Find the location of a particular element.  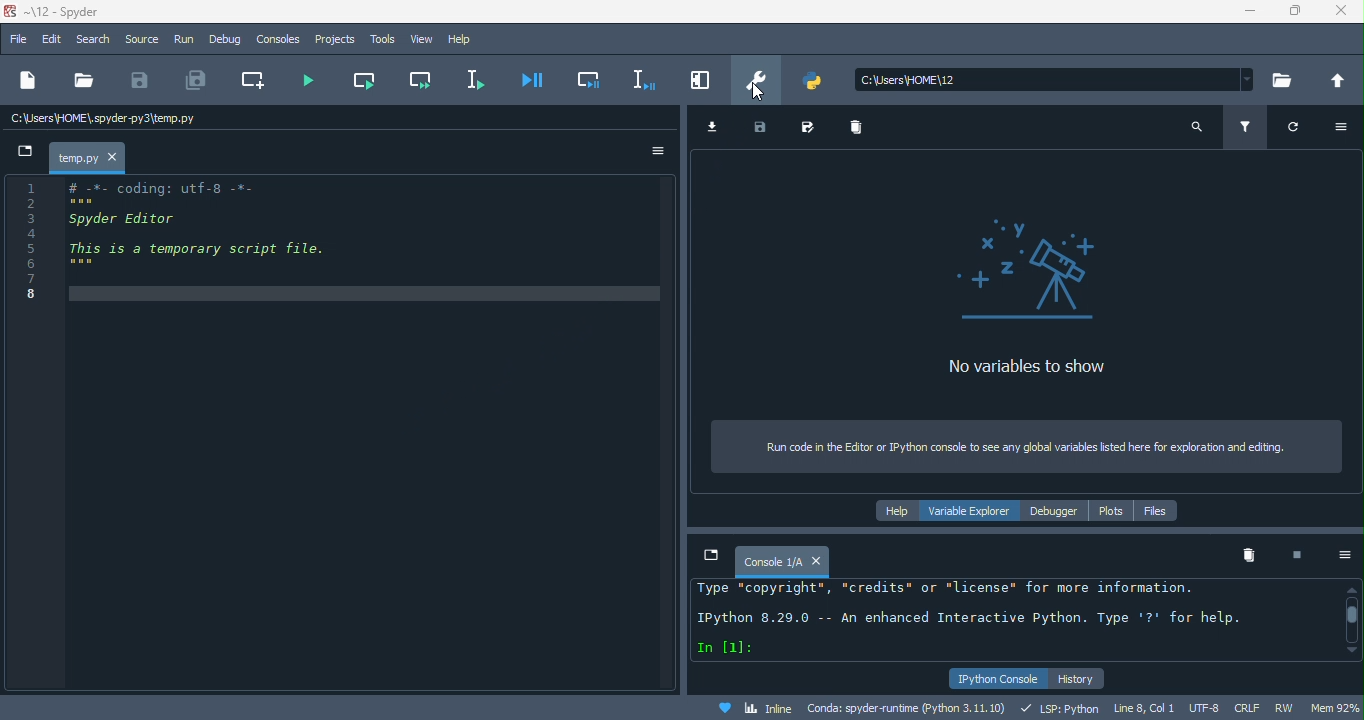

history is located at coordinates (1077, 679).